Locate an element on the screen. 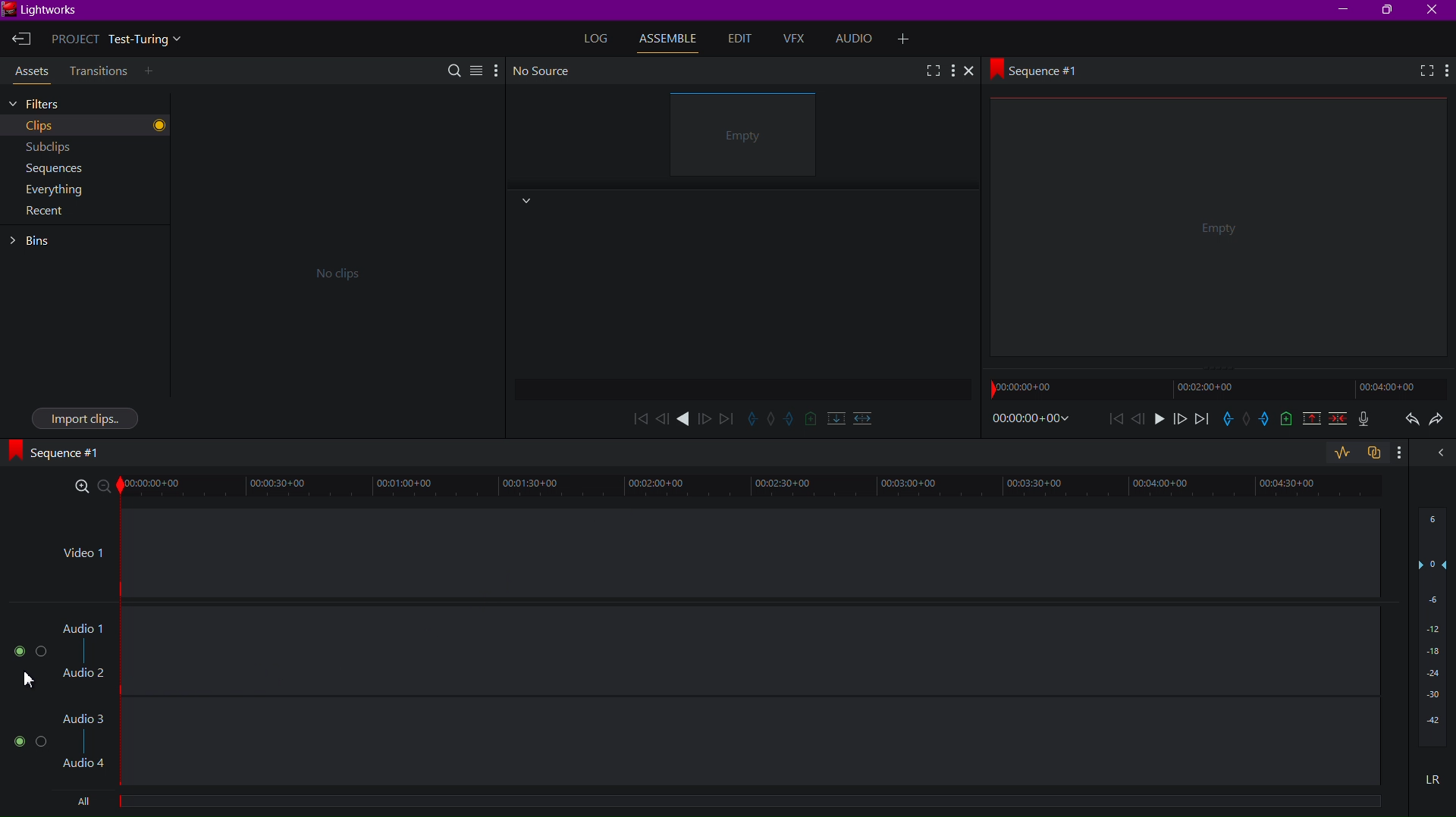 The image size is (1456, 817). Search is located at coordinates (456, 69).